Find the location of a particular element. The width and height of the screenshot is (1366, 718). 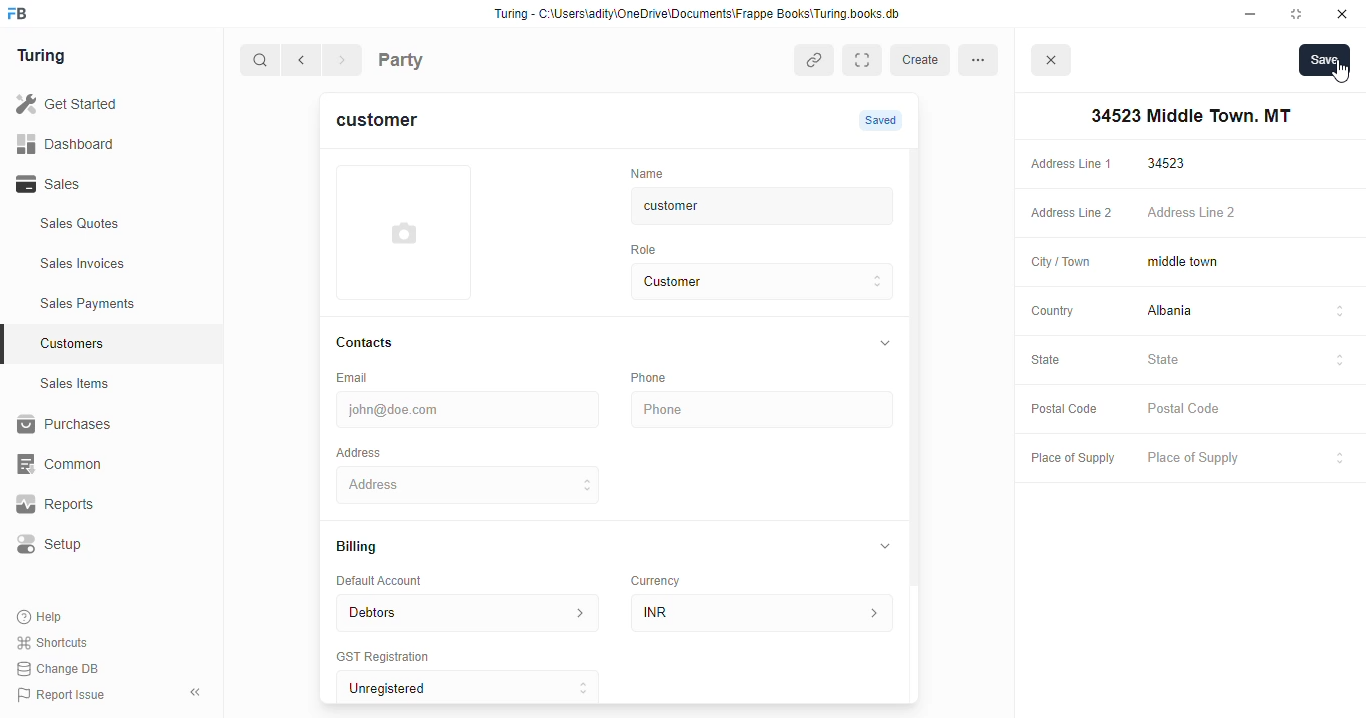

Email is located at coordinates (356, 376).